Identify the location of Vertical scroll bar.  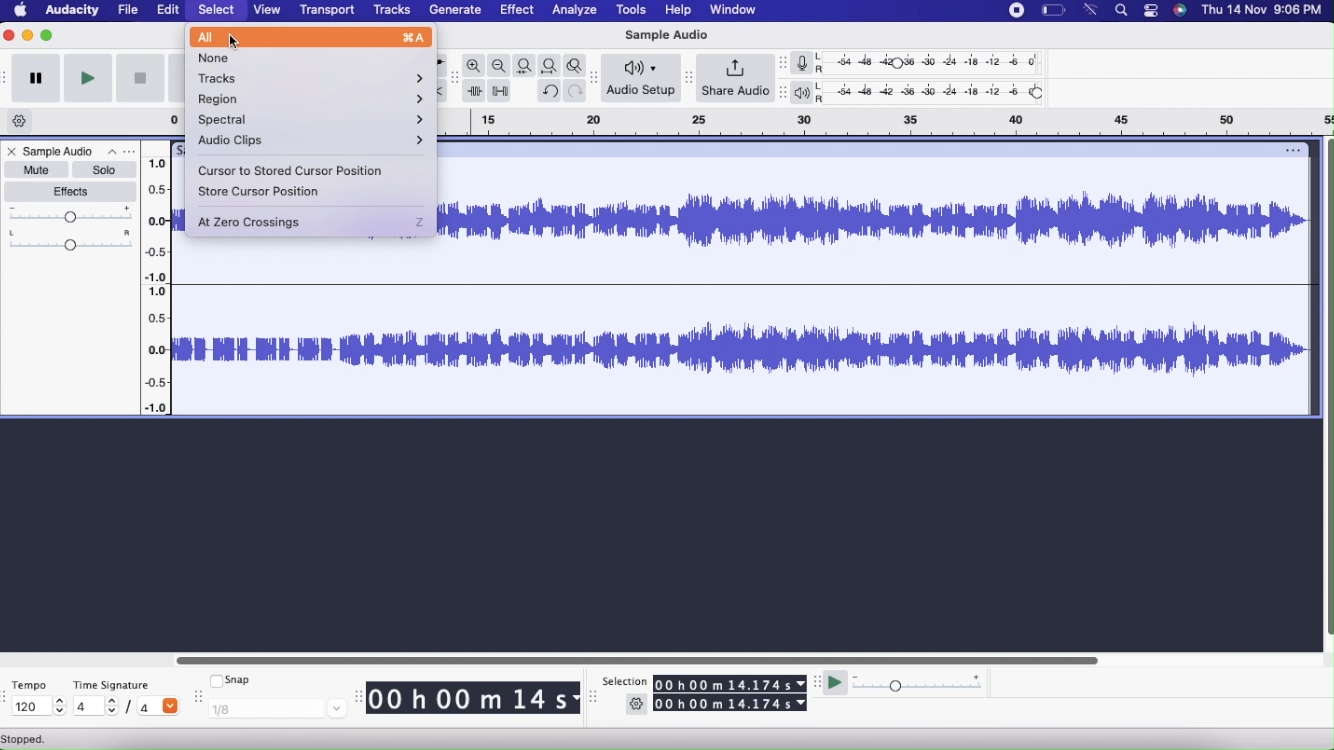
(1326, 382).